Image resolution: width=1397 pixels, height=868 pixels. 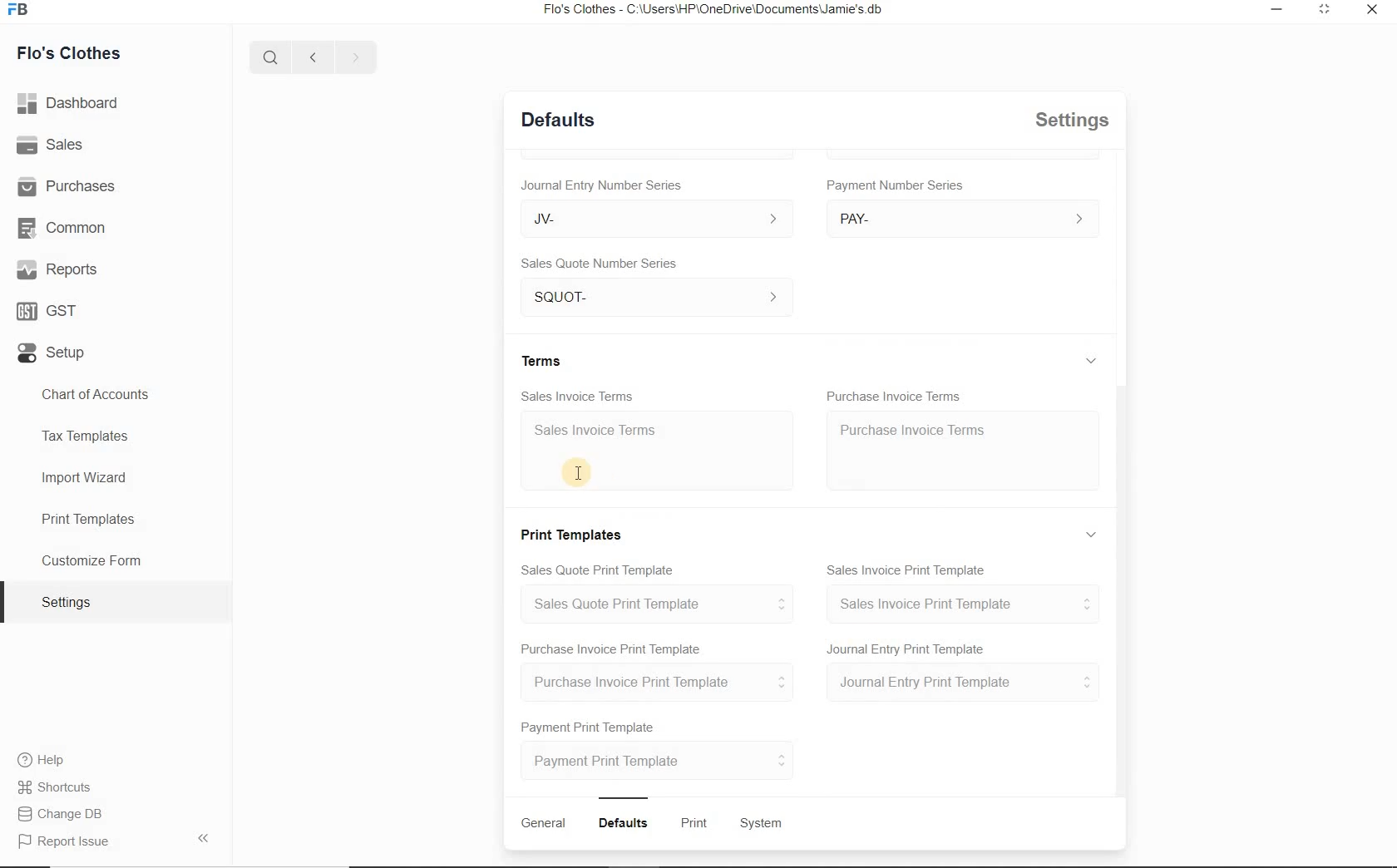 What do you see at coordinates (958, 218) in the screenshot?
I see `> PAY-` at bounding box center [958, 218].